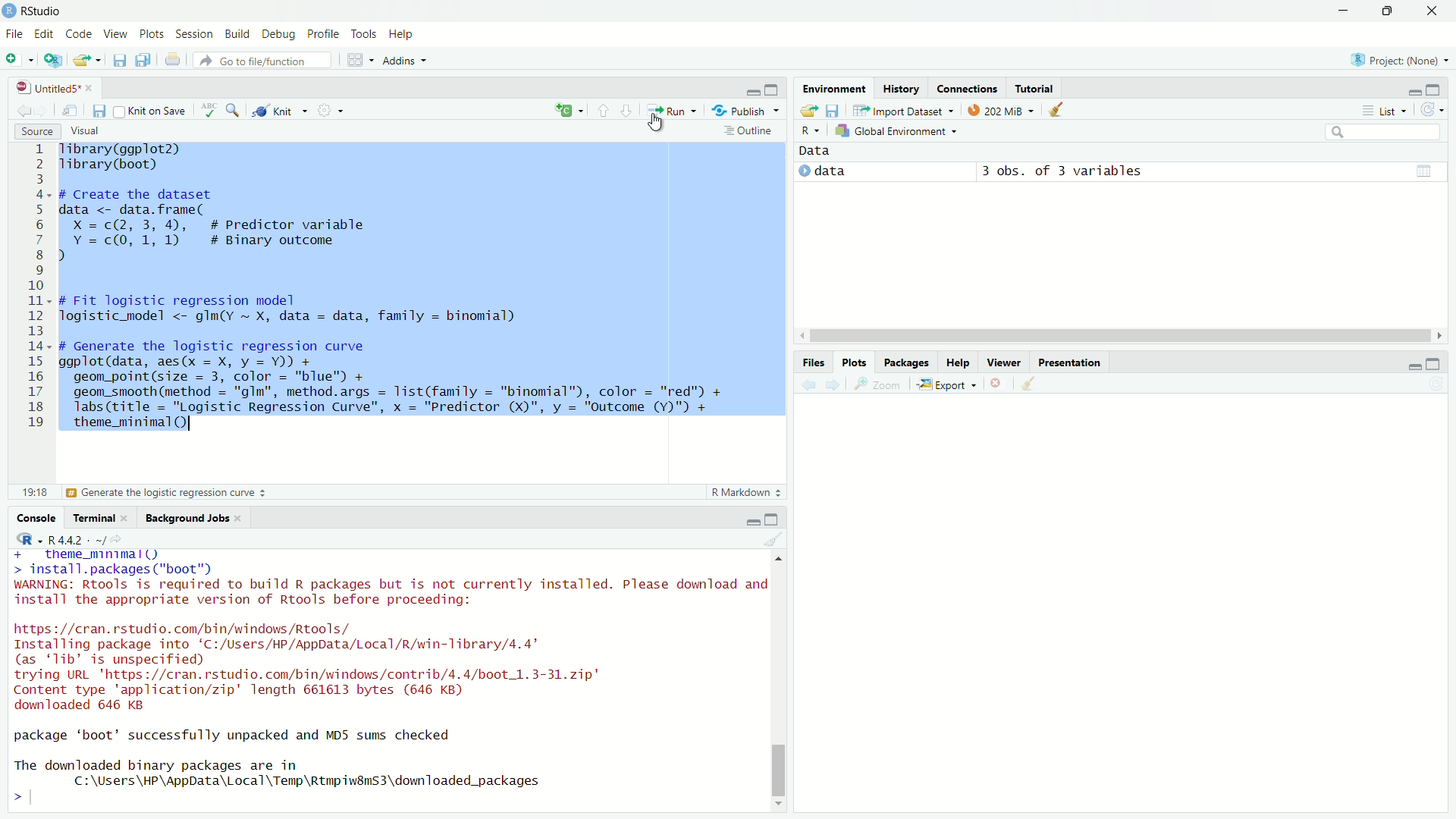 The height and width of the screenshot is (819, 1456). I want to click on Help, so click(402, 33).